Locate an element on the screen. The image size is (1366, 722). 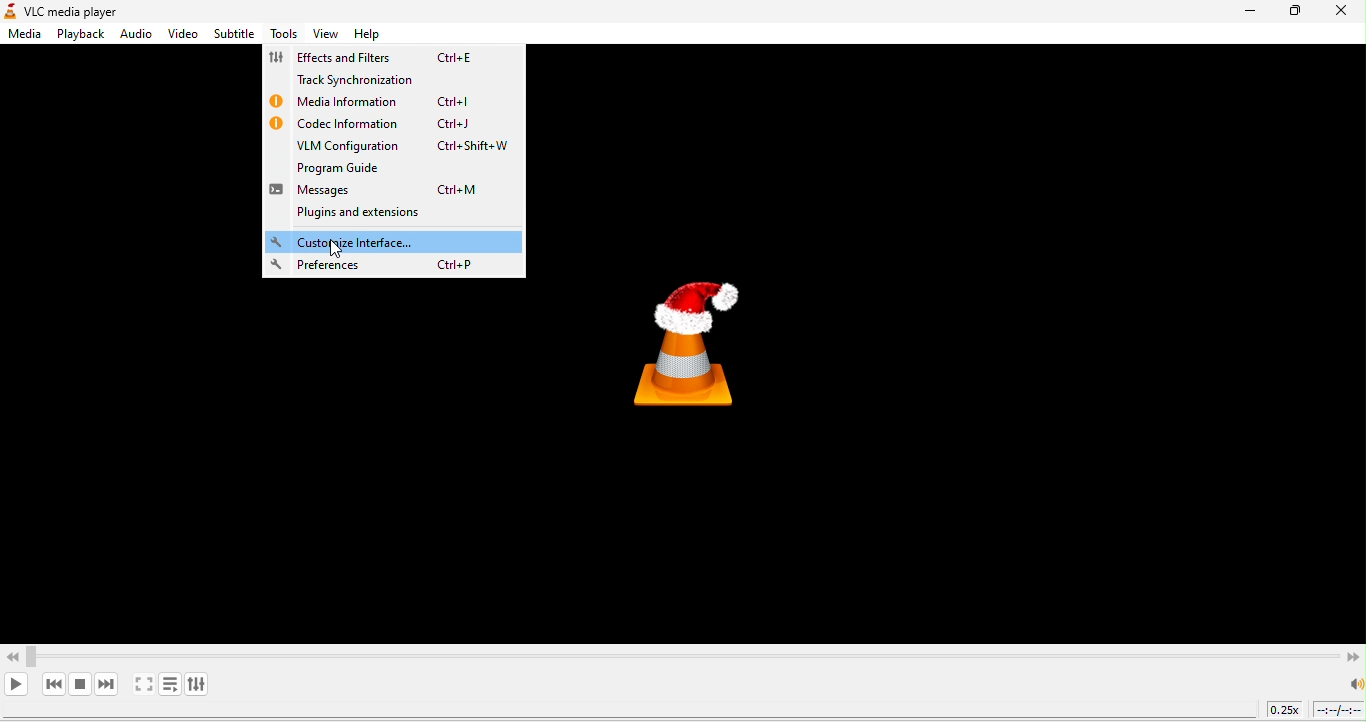
tools is located at coordinates (283, 36).